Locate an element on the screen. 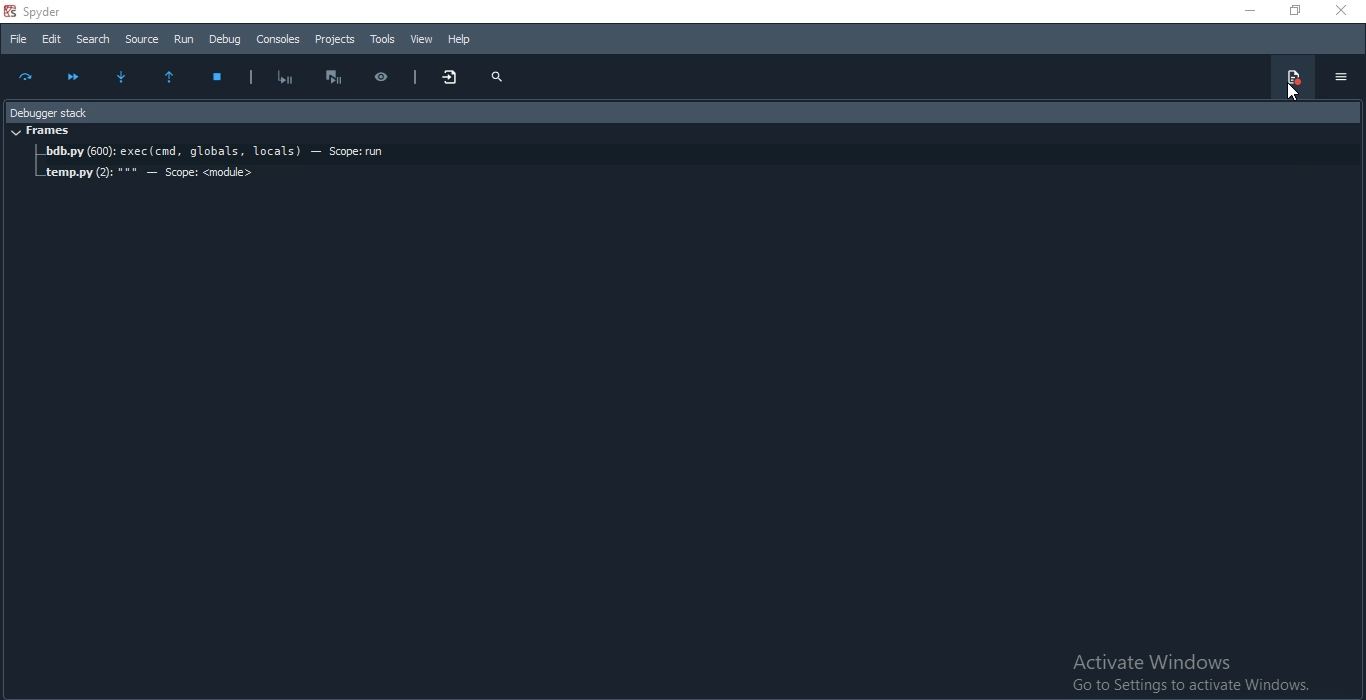  Step into function or method is located at coordinates (126, 78).